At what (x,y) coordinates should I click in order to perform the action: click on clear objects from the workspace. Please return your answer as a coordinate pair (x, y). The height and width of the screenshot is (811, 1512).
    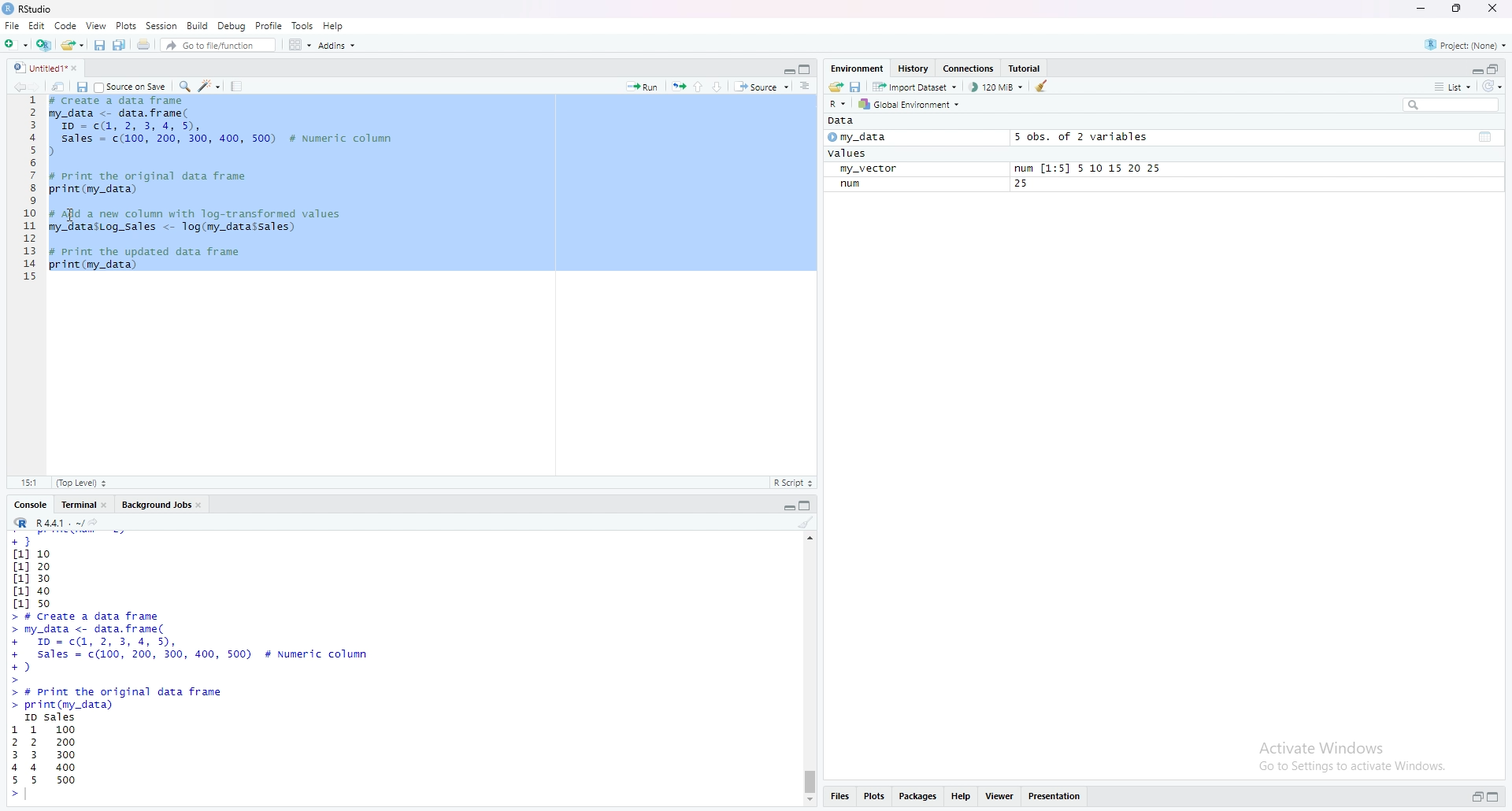
    Looking at the image, I should click on (1043, 88).